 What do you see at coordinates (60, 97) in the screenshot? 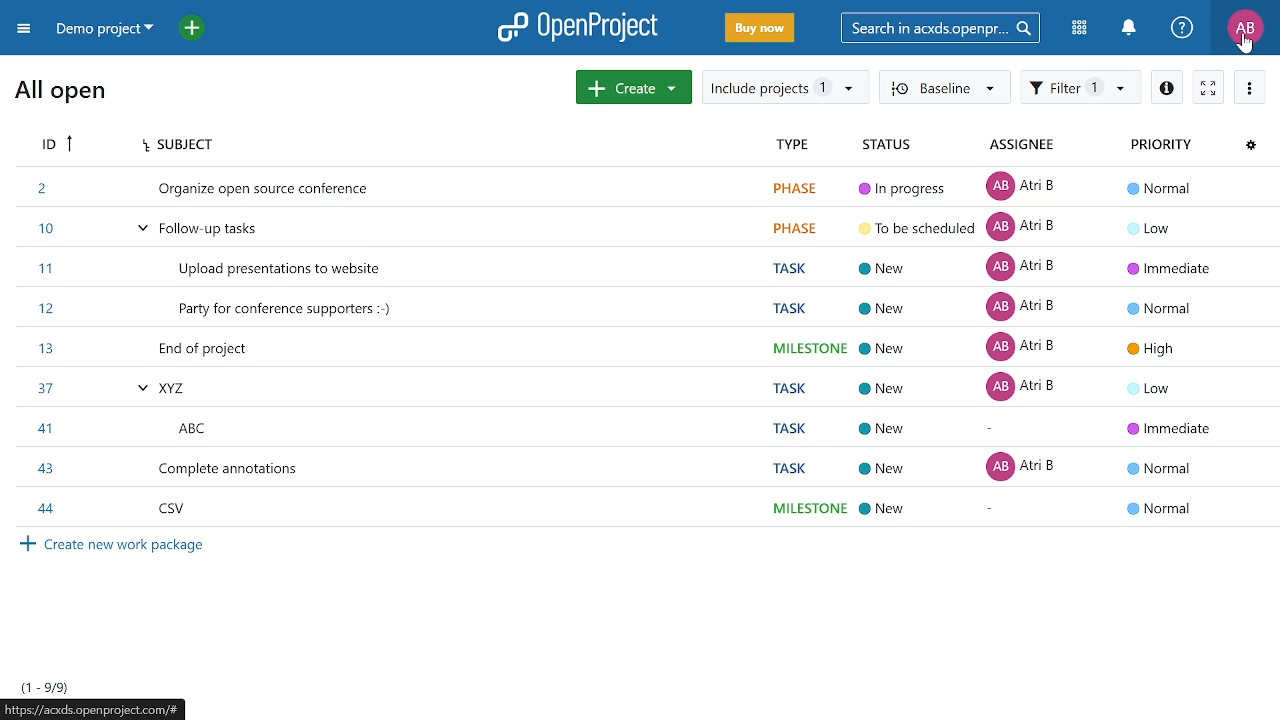
I see `All open` at bounding box center [60, 97].